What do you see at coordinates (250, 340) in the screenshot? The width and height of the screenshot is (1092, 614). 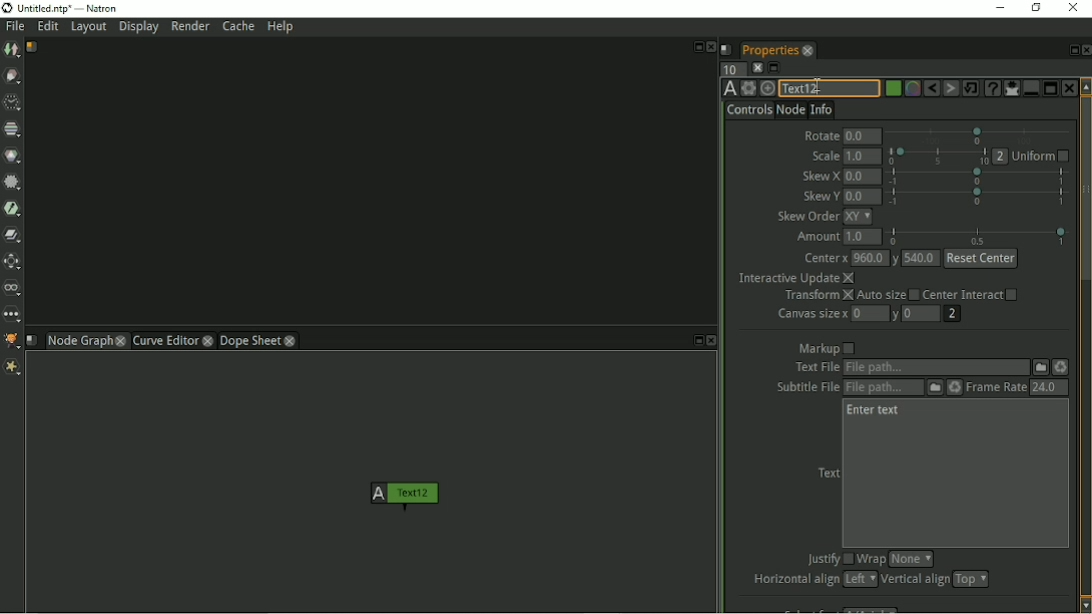 I see `Dope Sheet` at bounding box center [250, 340].